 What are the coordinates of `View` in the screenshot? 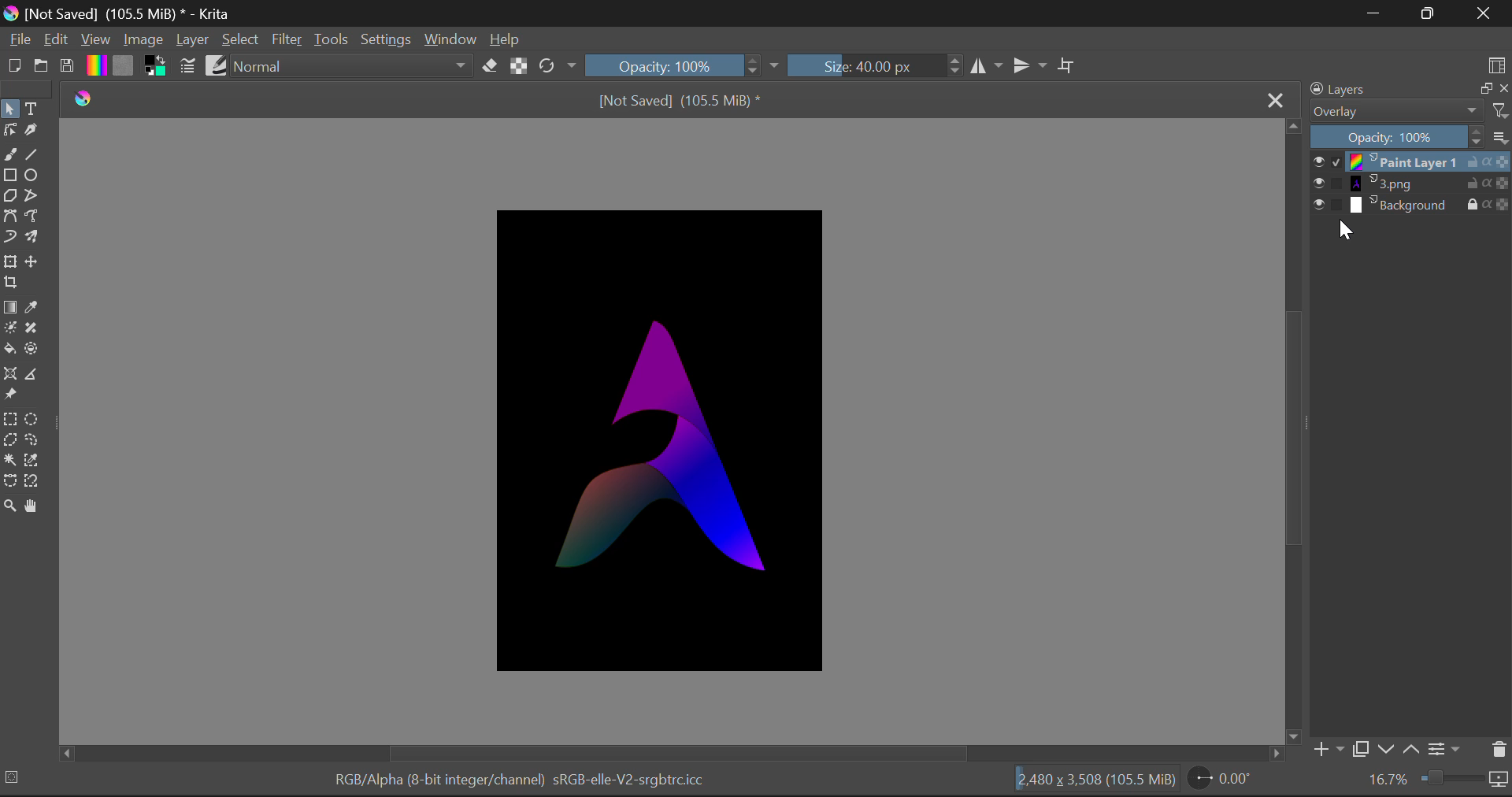 It's located at (96, 40).